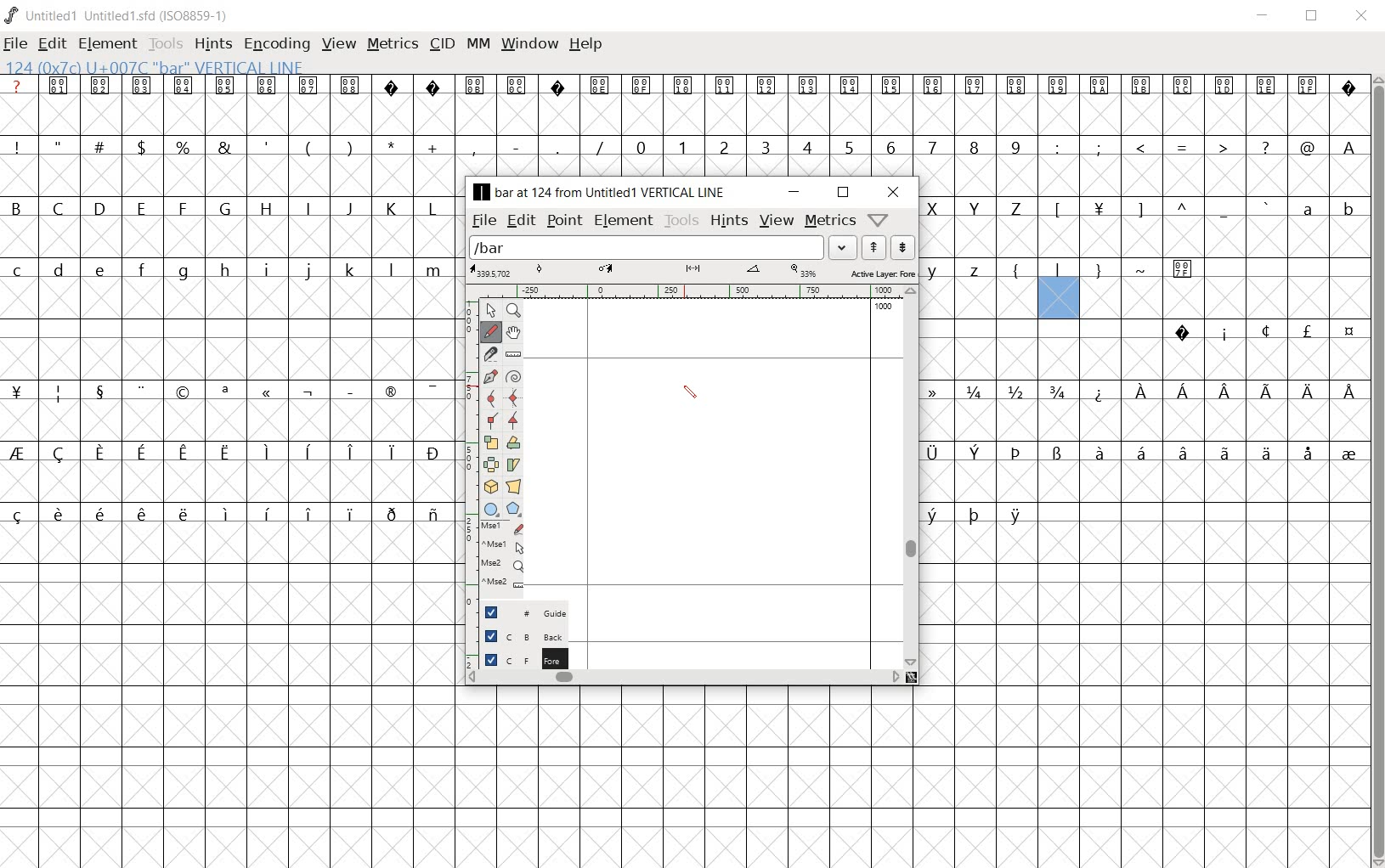 The image size is (1385, 868). What do you see at coordinates (1257, 332) in the screenshot?
I see `special symbols` at bounding box center [1257, 332].